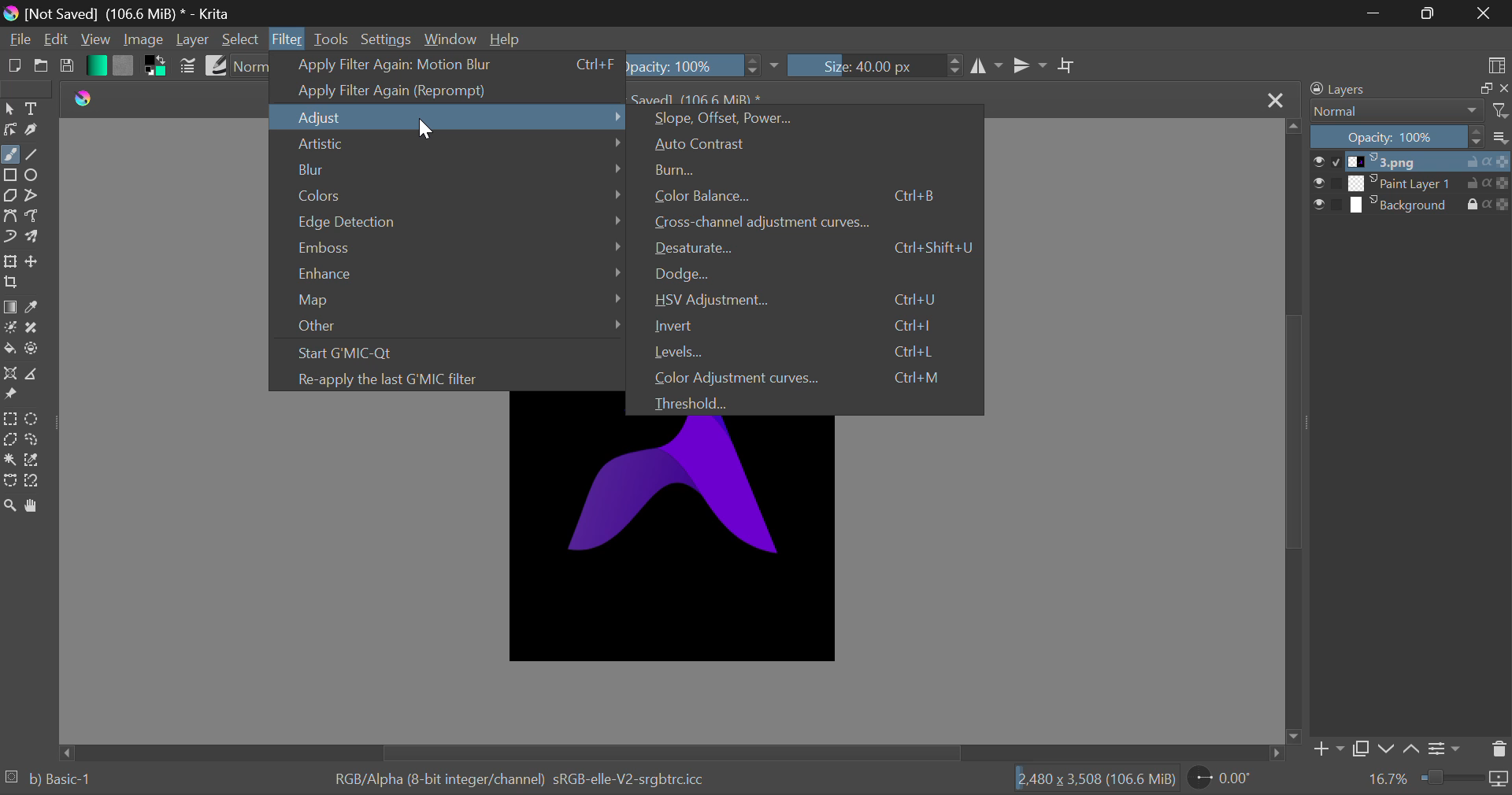 Image resolution: width=1512 pixels, height=795 pixels. What do you see at coordinates (987, 65) in the screenshot?
I see `Vertical Mirror Flip` at bounding box center [987, 65].